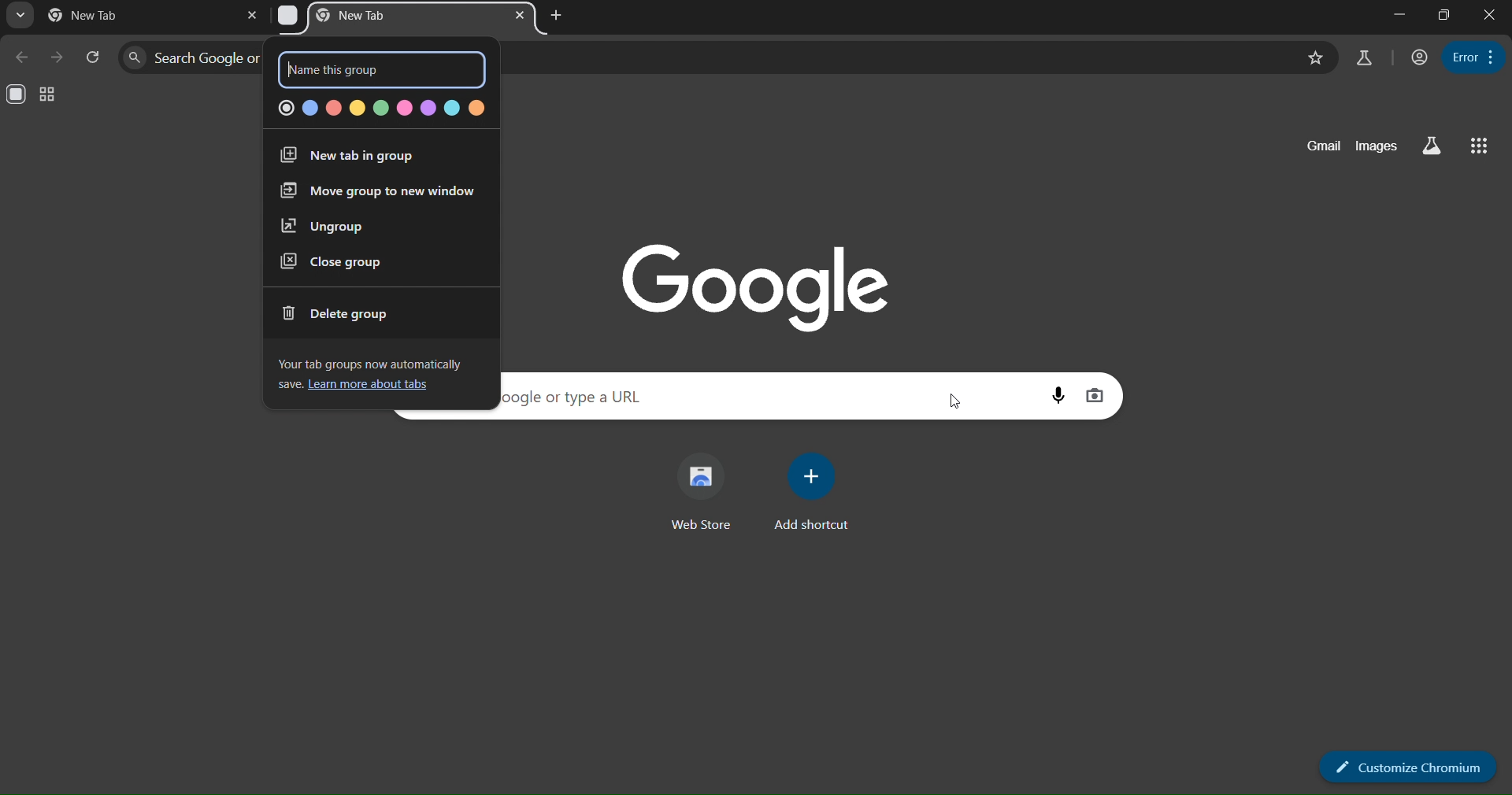 This screenshot has height=795, width=1512. What do you see at coordinates (56, 59) in the screenshot?
I see `go forward one page` at bounding box center [56, 59].